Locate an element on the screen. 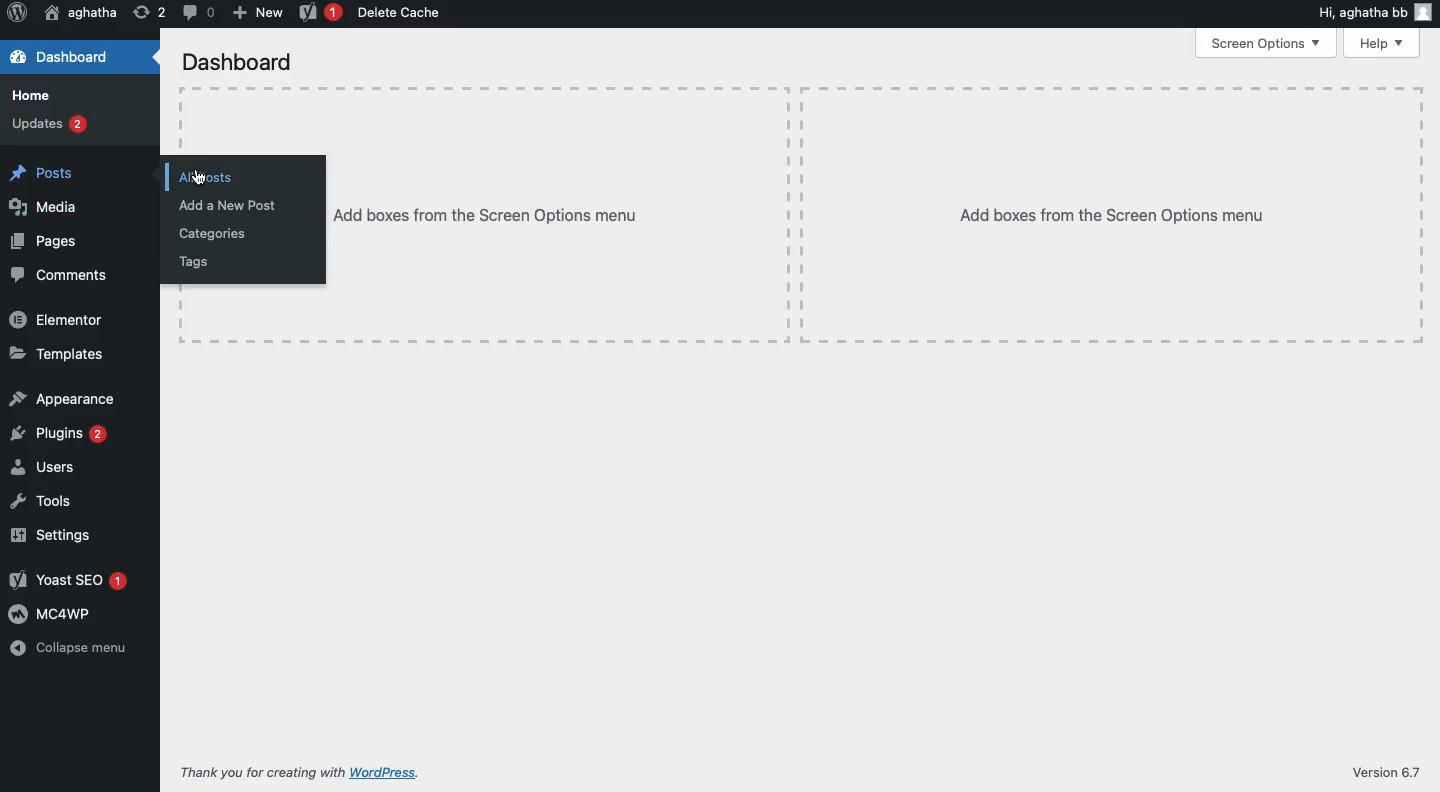 The image size is (1440, 792). Updates is located at coordinates (50, 125).